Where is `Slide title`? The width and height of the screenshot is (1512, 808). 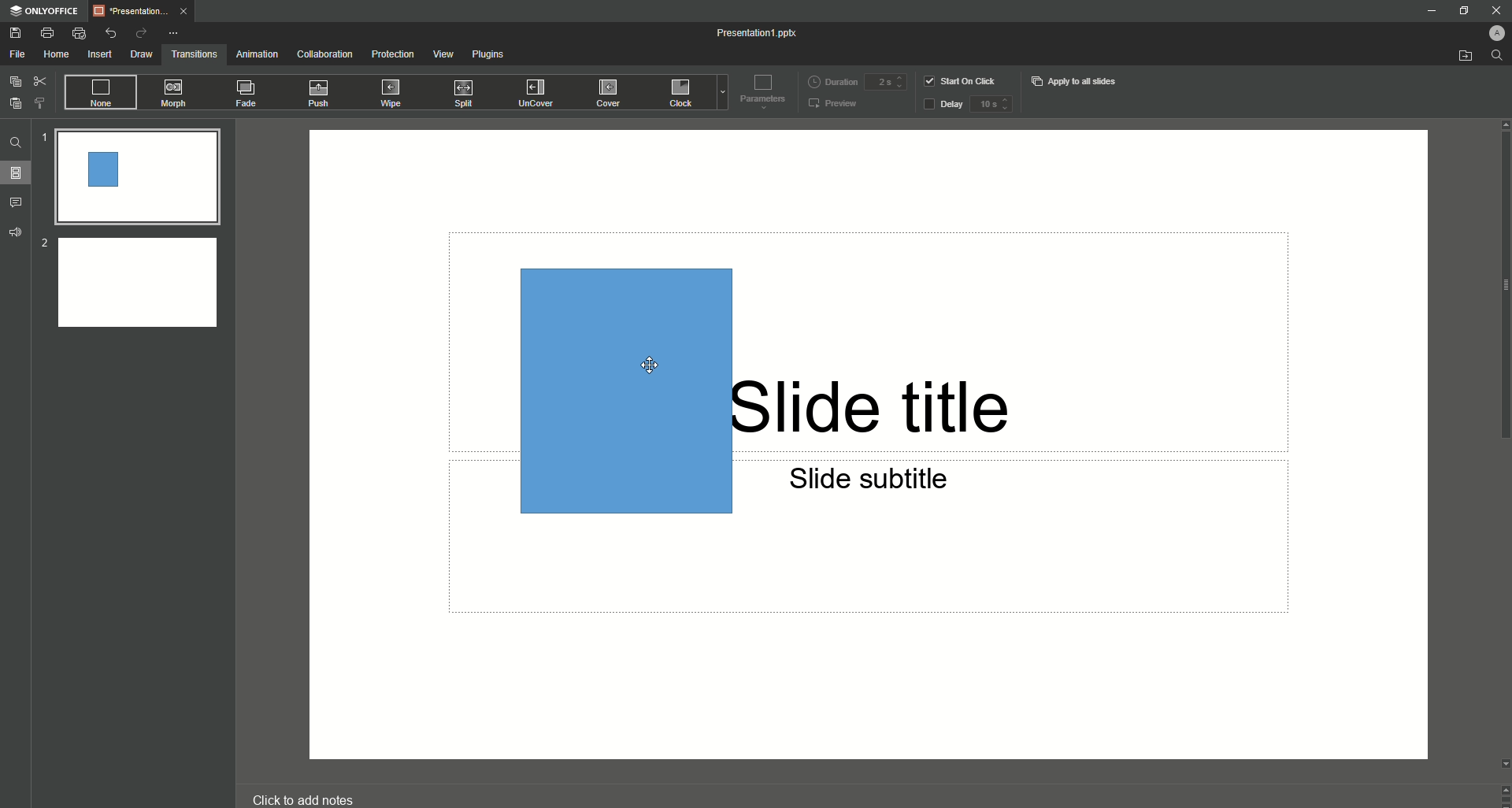 Slide title is located at coordinates (877, 405).